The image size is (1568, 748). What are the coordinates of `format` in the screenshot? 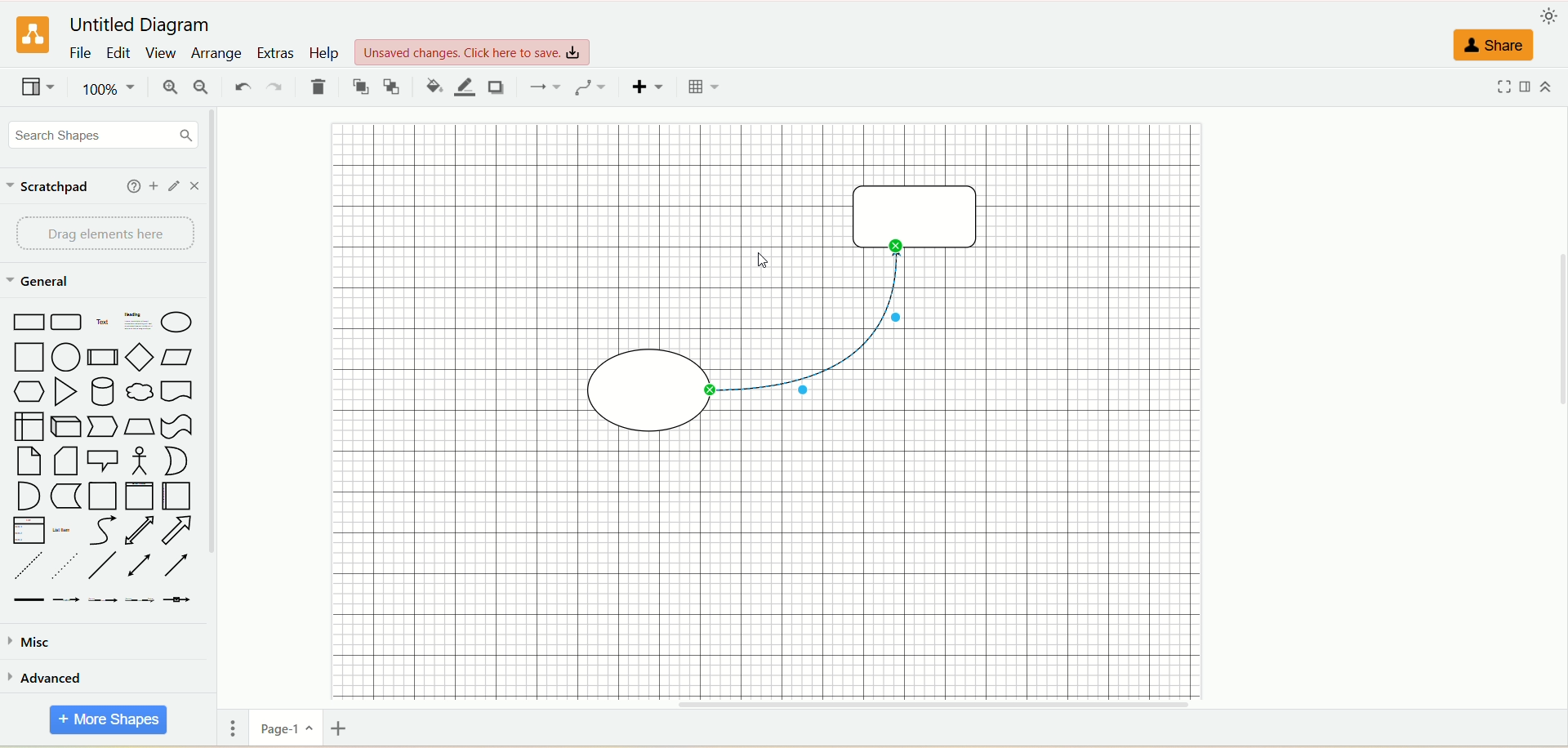 It's located at (1528, 90).